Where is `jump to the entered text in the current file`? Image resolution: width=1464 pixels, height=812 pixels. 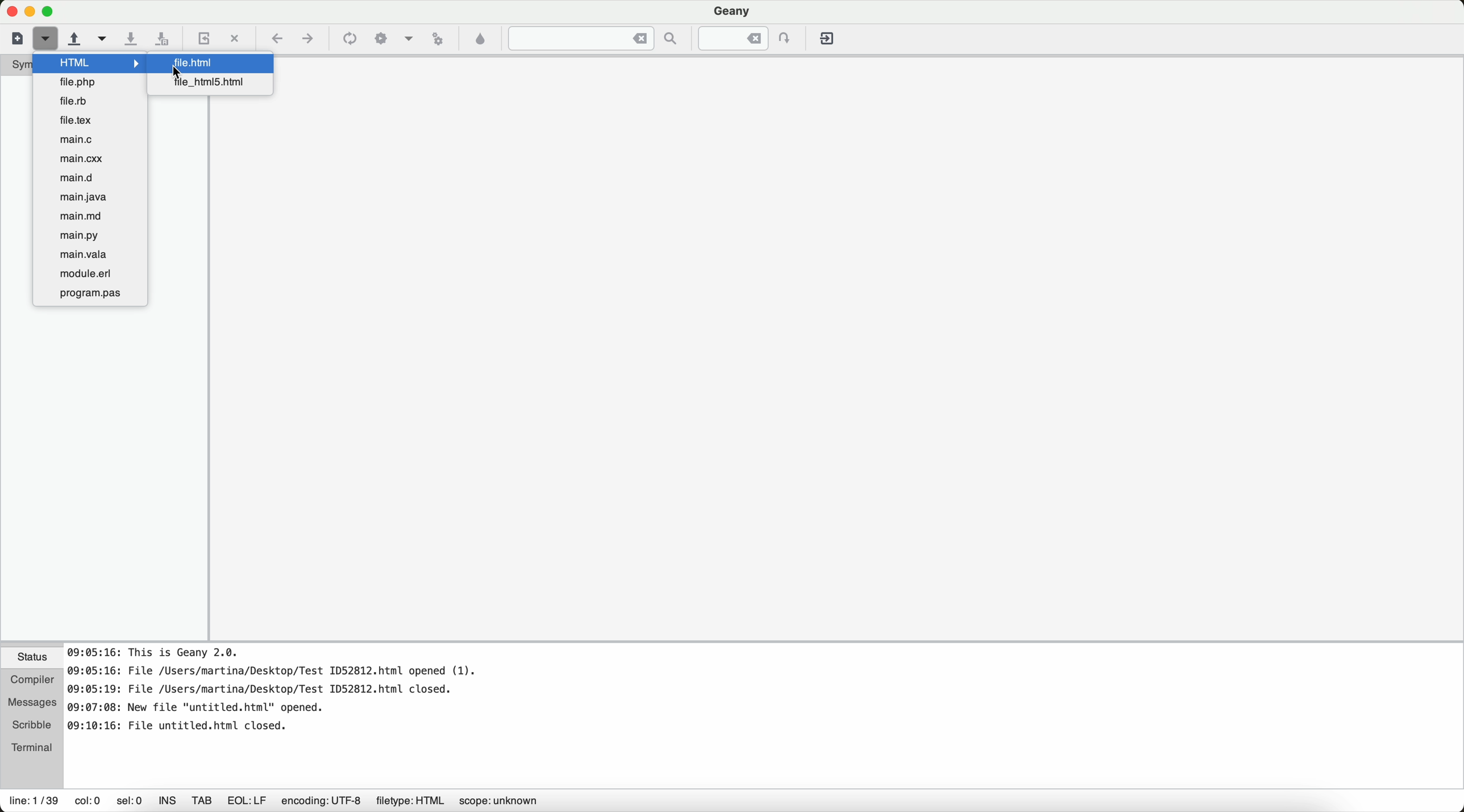 jump to the entered text in the current file is located at coordinates (596, 39).